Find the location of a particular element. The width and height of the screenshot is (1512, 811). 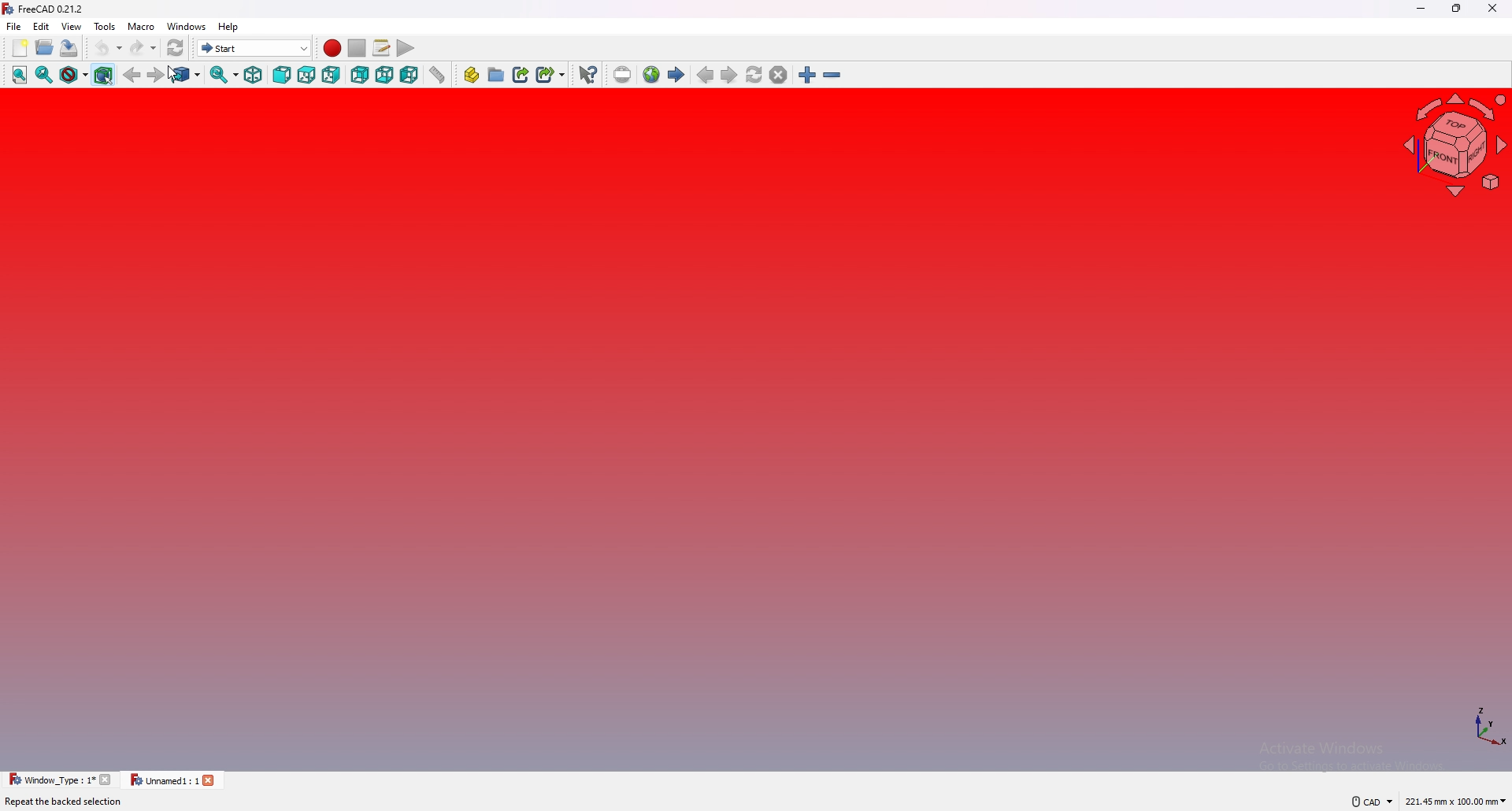

view is located at coordinates (72, 26).